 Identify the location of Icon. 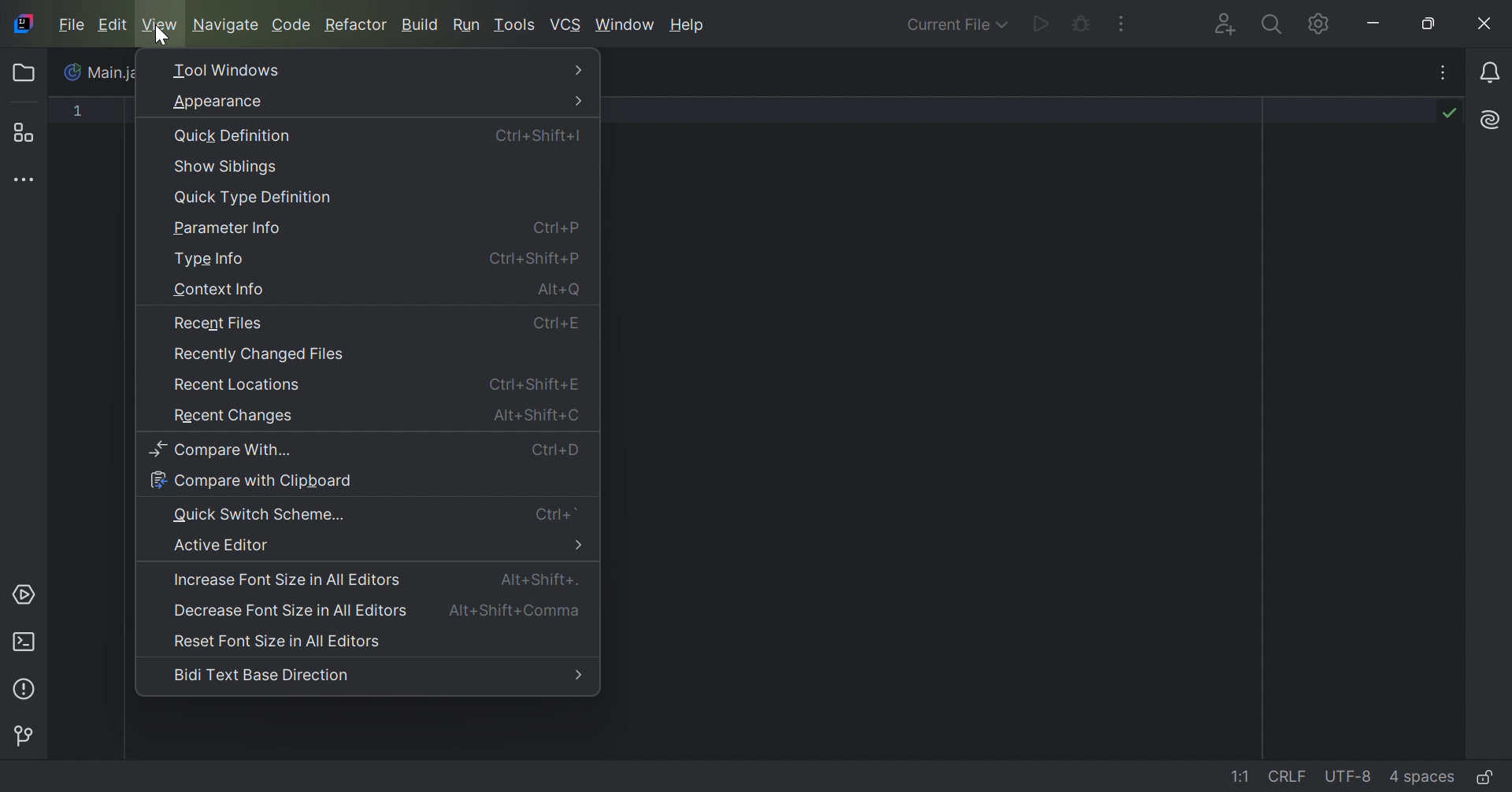
(22, 23).